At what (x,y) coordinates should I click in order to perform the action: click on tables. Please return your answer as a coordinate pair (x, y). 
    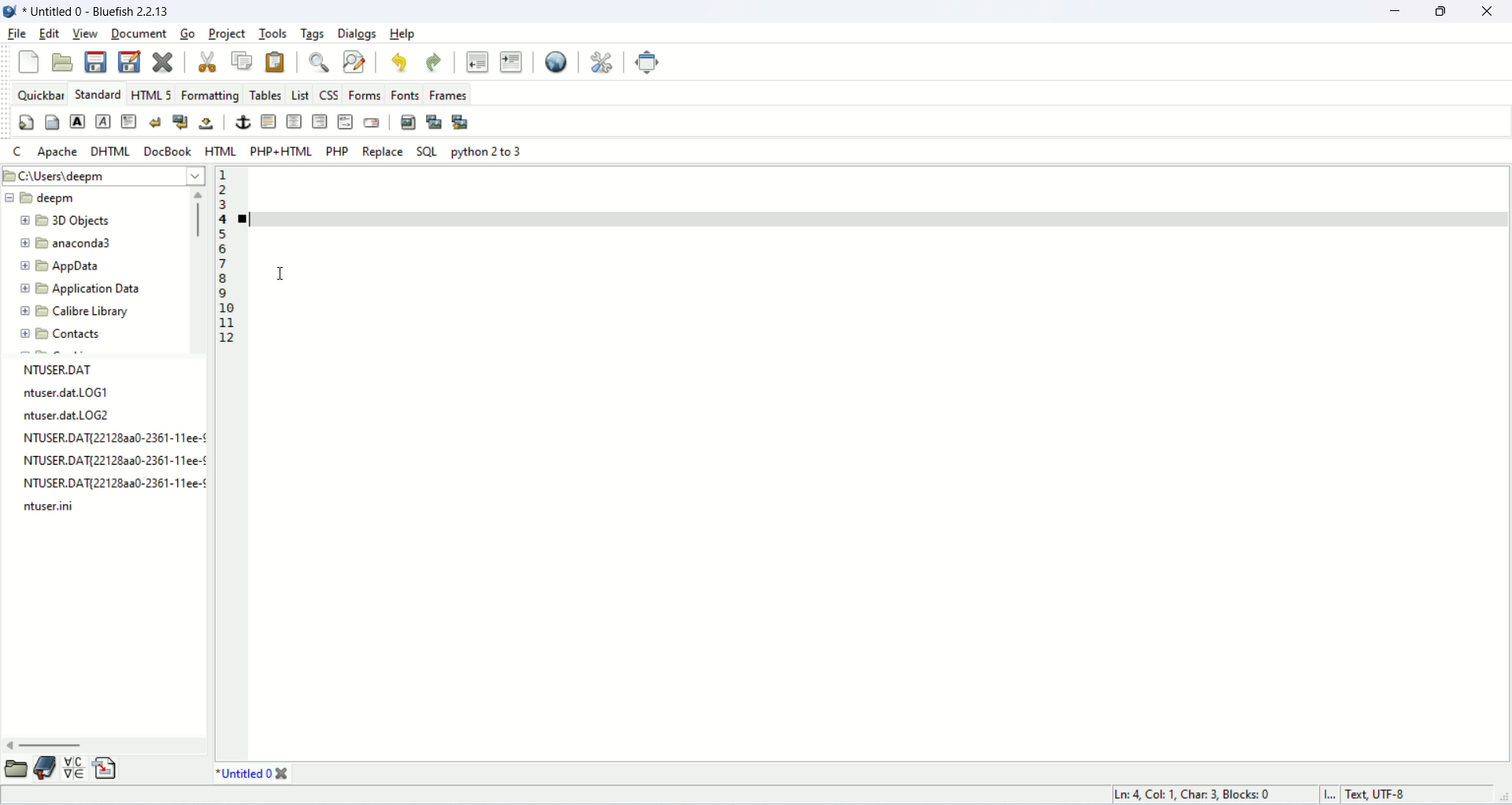
    Looking at the image, I should click on (269, 96).